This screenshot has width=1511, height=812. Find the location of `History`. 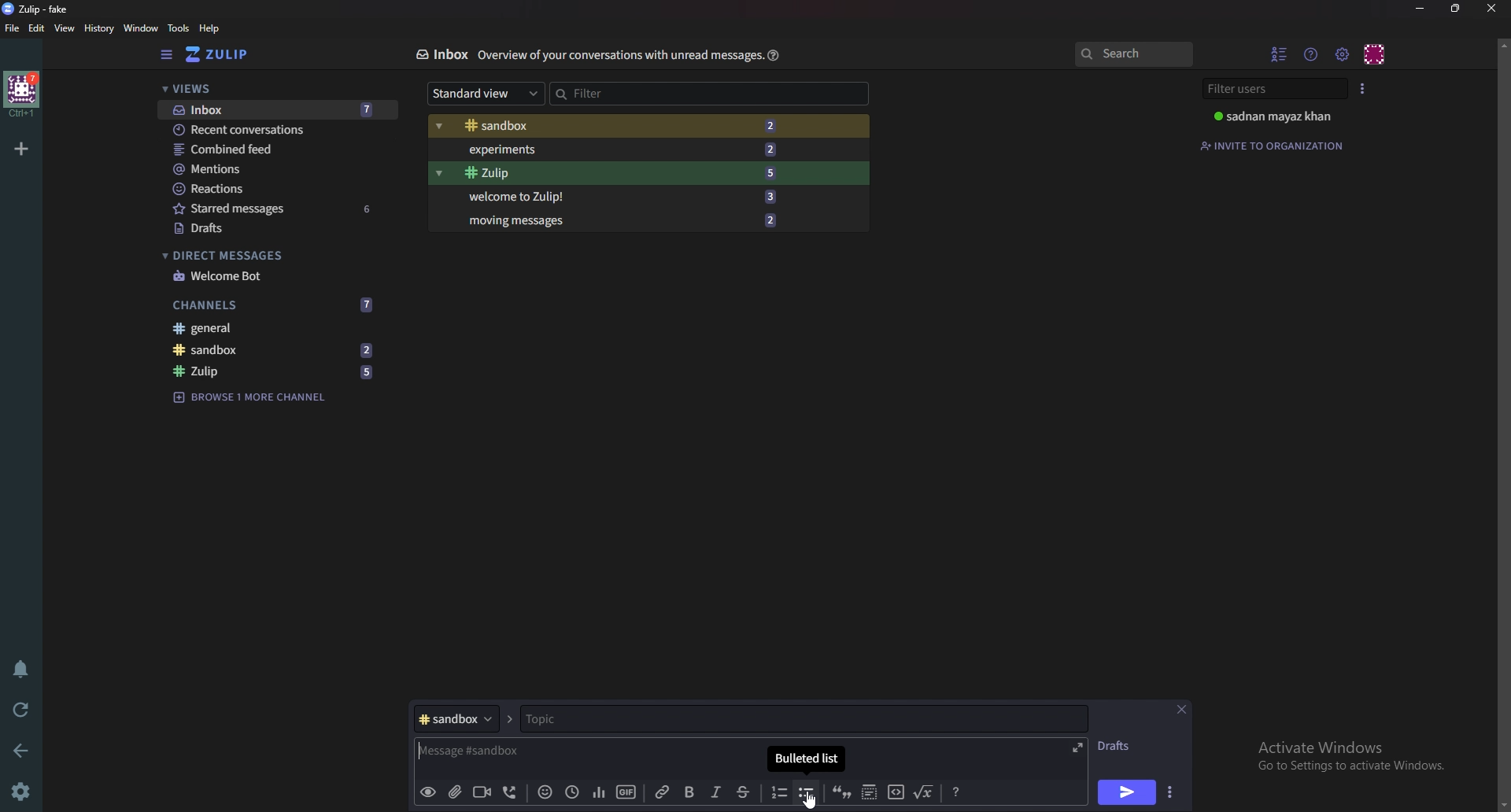

History is located at coordinates (101, 28).